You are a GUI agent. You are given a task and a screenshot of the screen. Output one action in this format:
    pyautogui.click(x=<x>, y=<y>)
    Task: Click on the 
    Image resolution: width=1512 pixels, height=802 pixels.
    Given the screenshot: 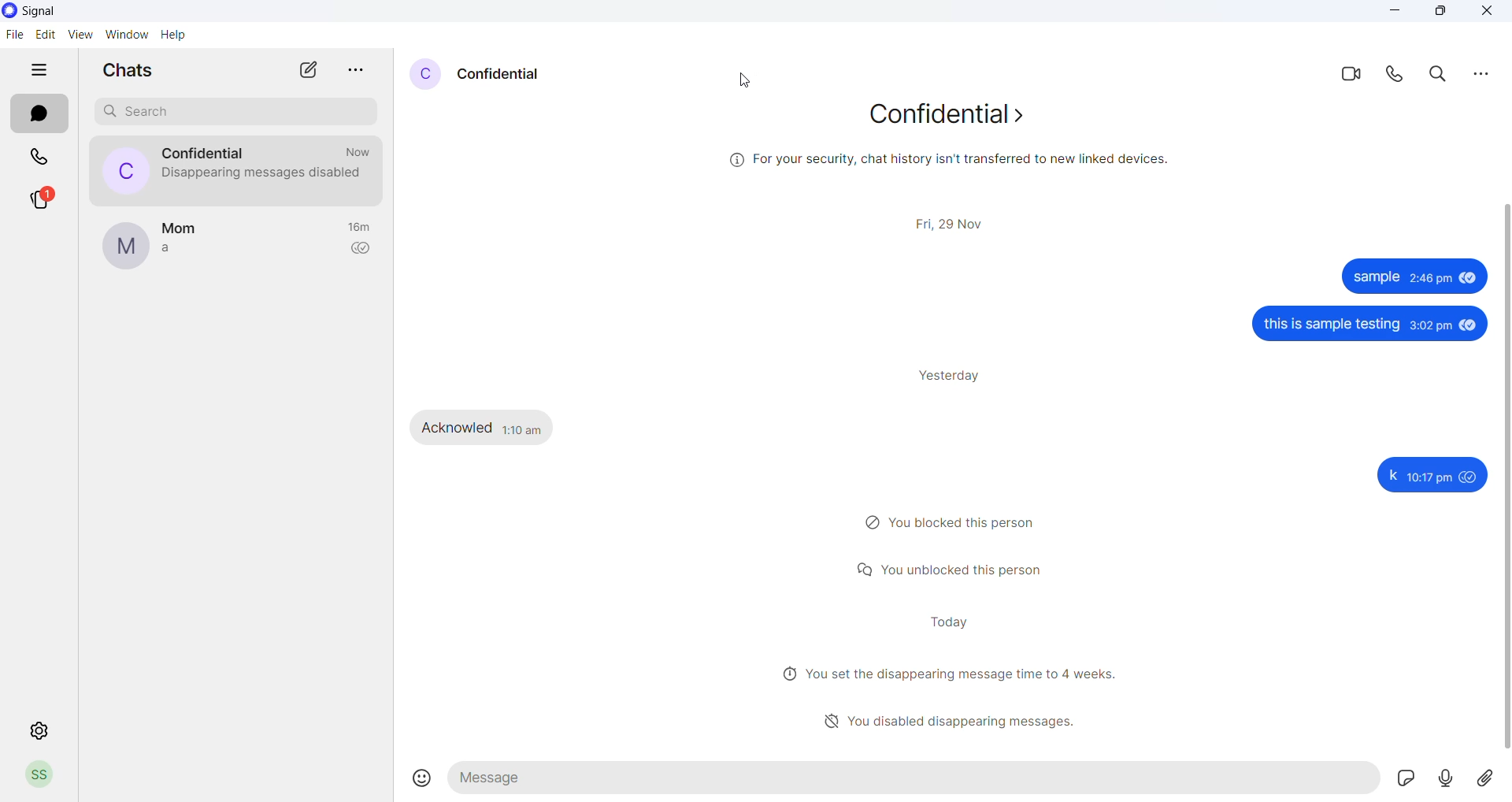 What is the action you would take?
    pyautogui.click(x=1484, y=74)
    